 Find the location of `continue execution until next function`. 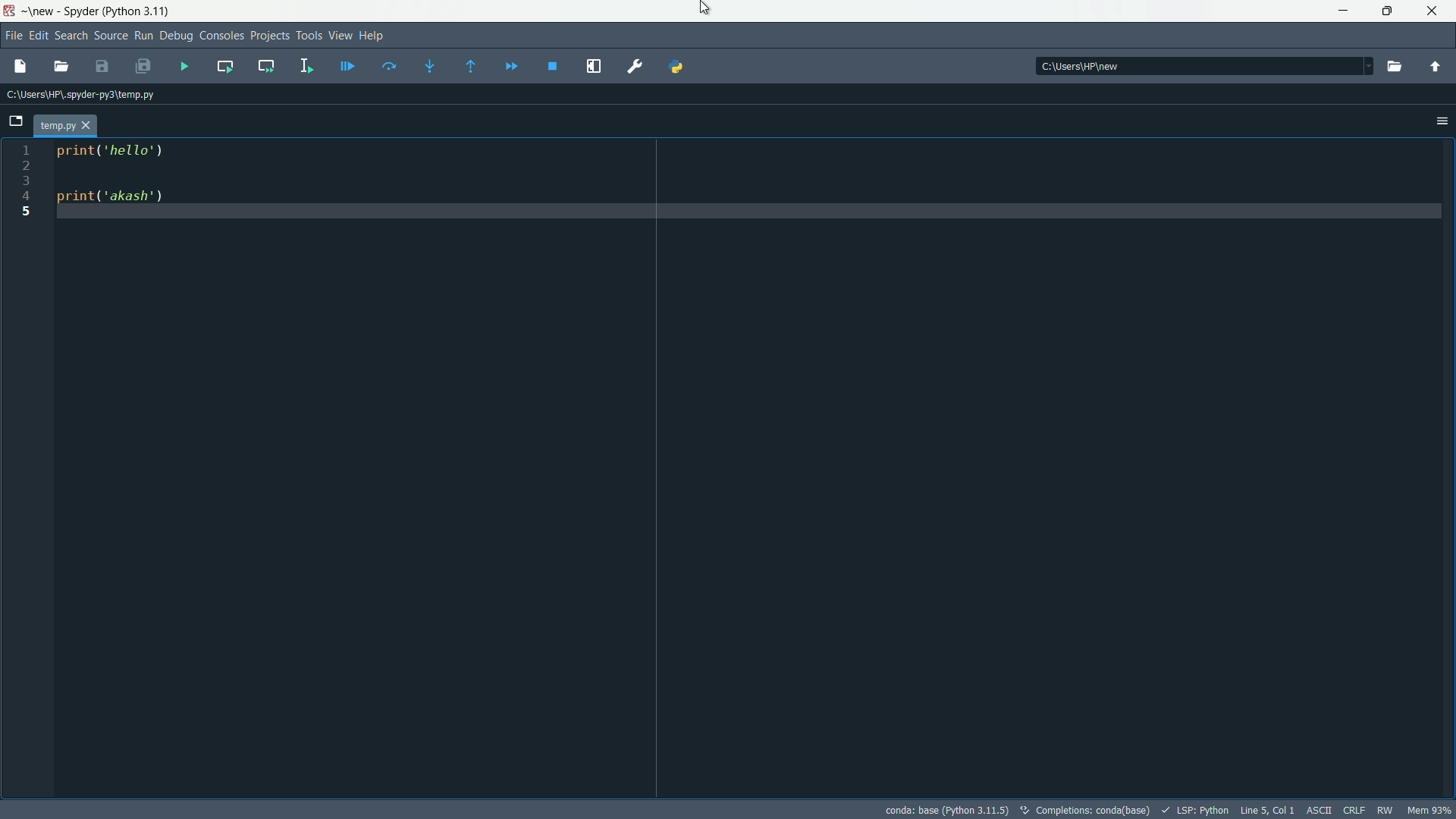

continue execution until next function is located at coordinates (474, 66).